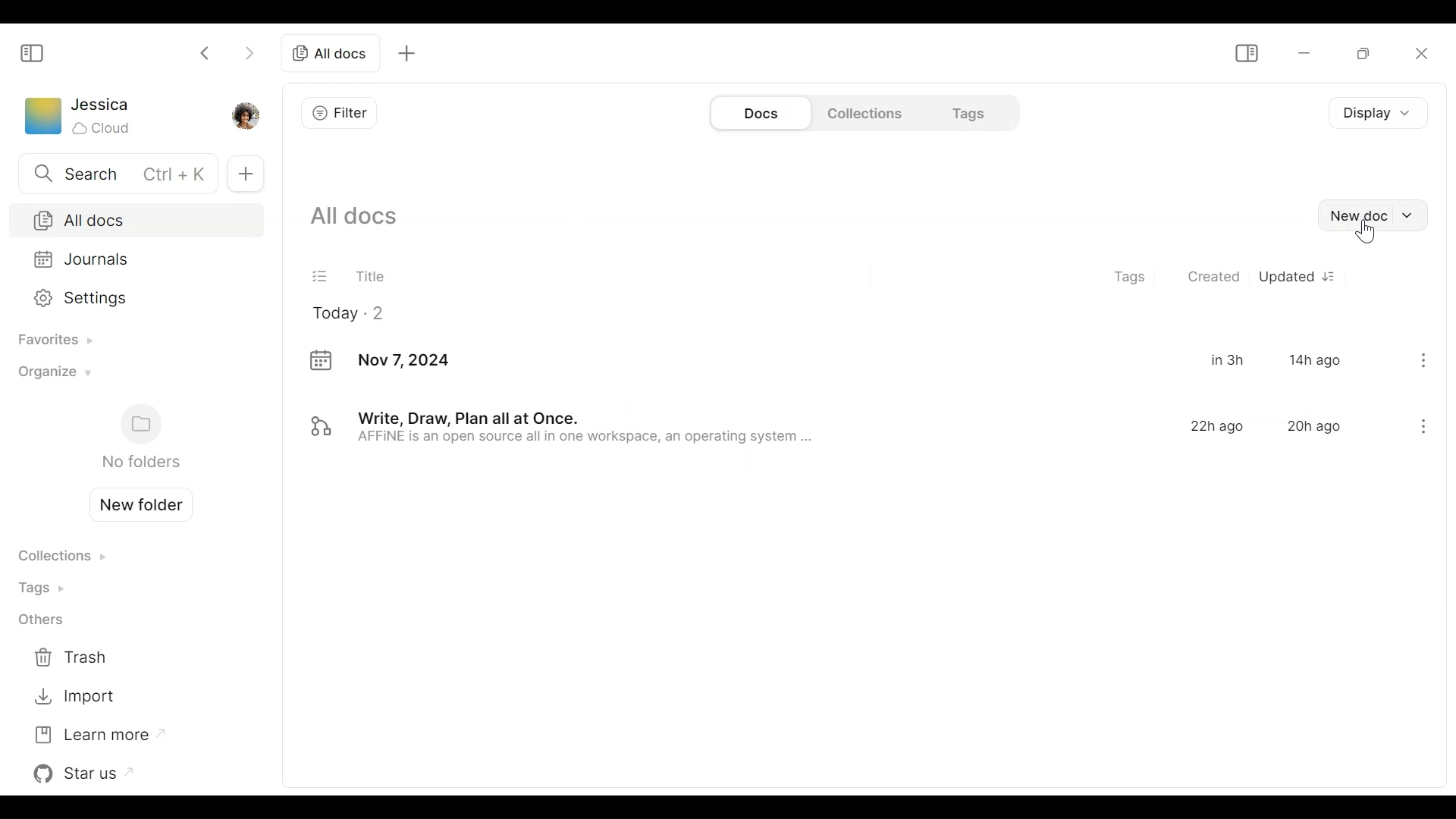  Describe the element at coordinates (404, 52) in the screenshot. I see `Add a new tab` at that location.